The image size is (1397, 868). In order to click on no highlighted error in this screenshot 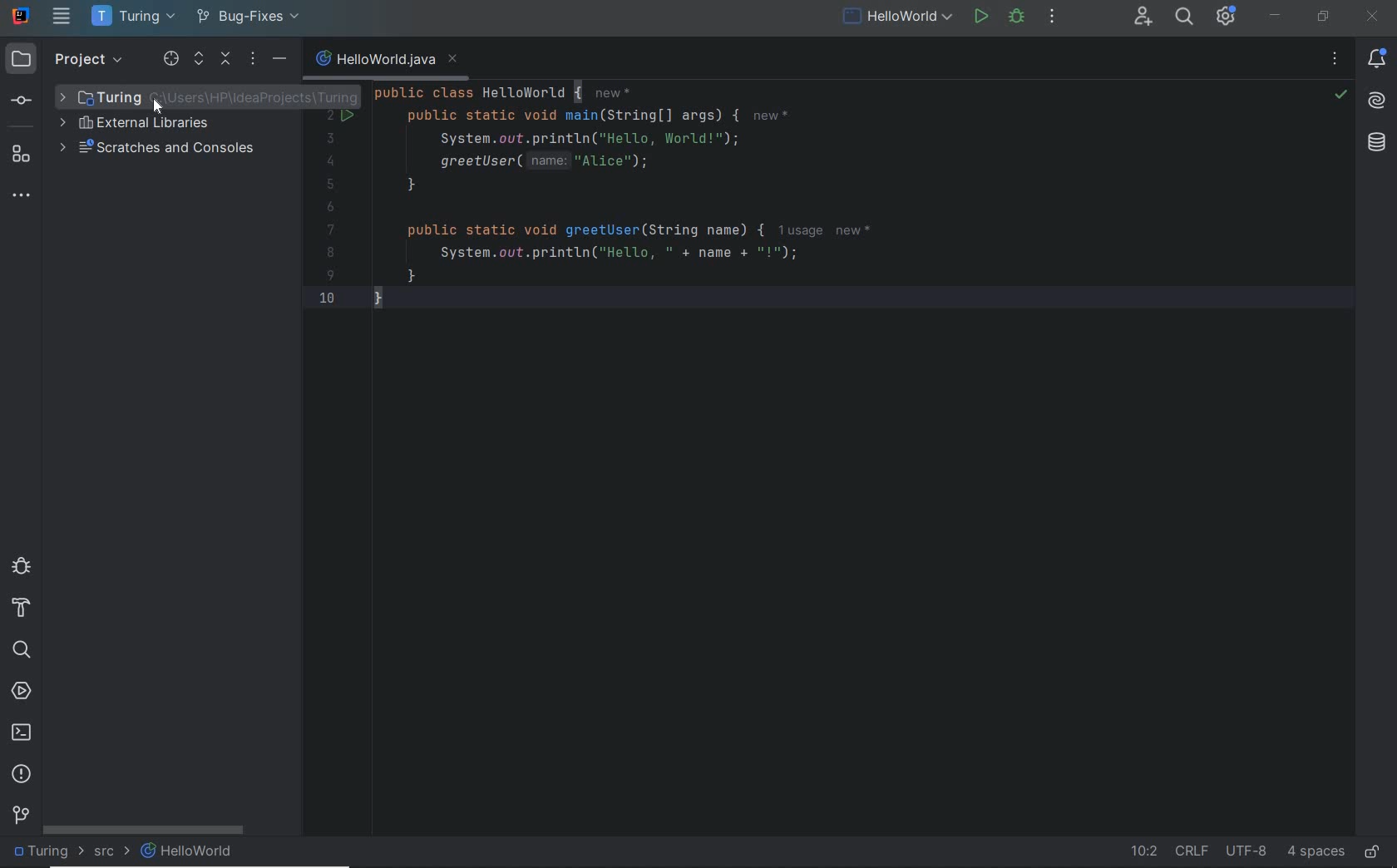, I will do `click(1340, 95)`.